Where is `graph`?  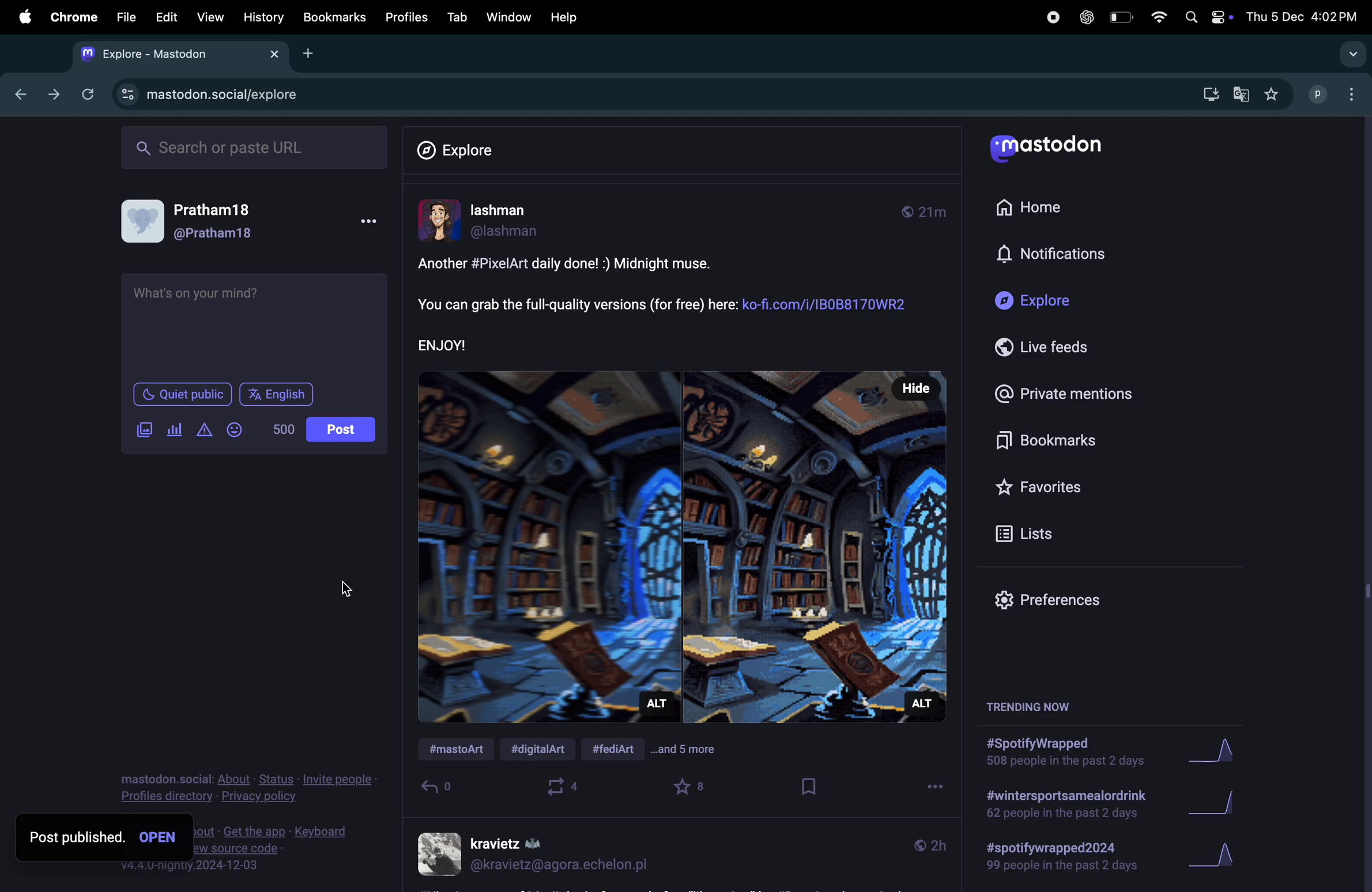
graph is located at coordinates (1220, 859).